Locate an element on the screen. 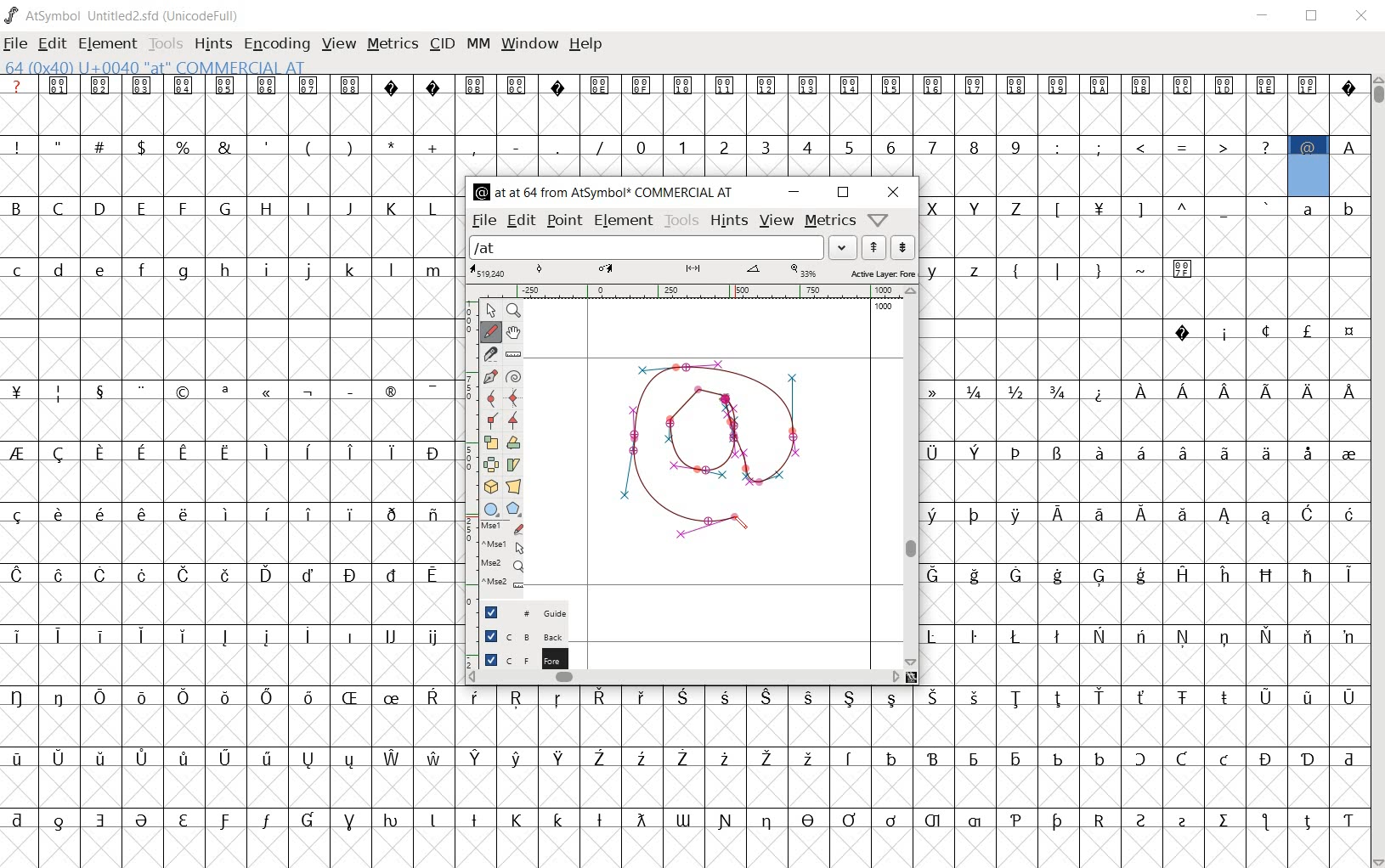 This screenshot has height=868, width=1385. FILE is located at coordinates (15, 45).